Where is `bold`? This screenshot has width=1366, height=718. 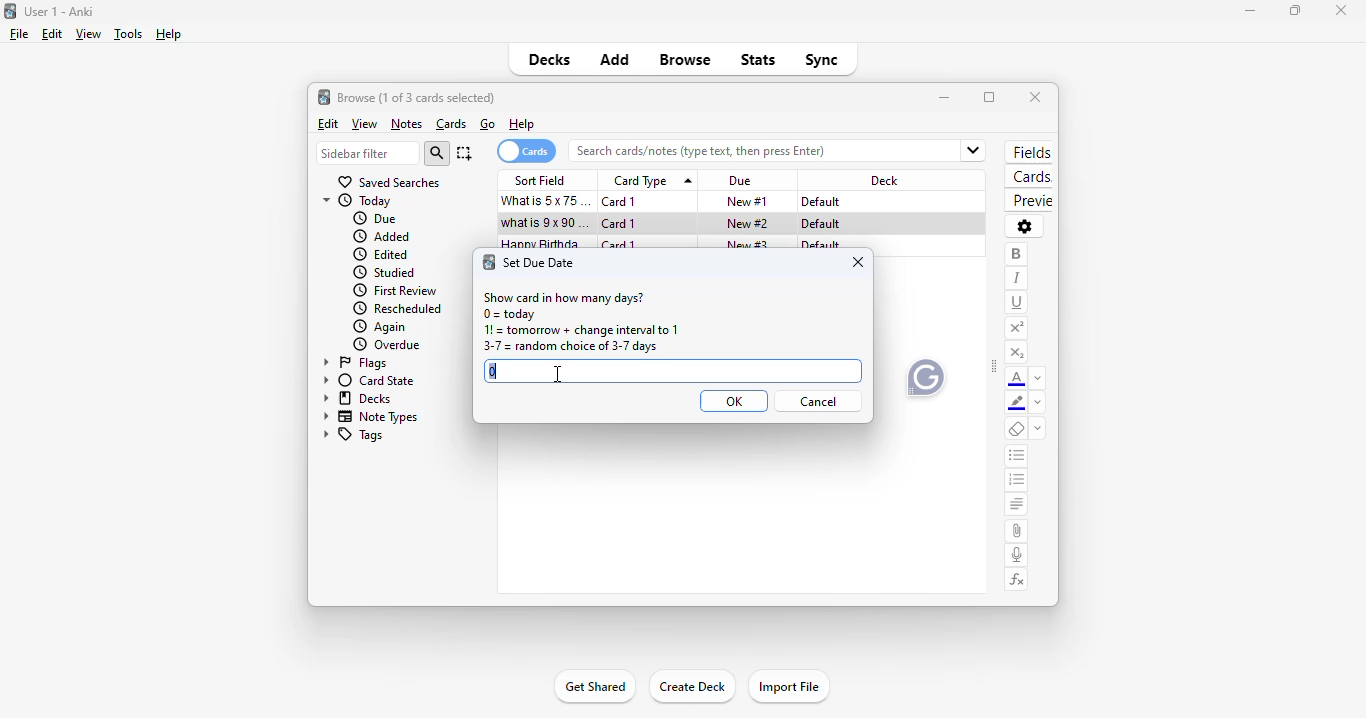 bold is located at coordinates (1015, 255).